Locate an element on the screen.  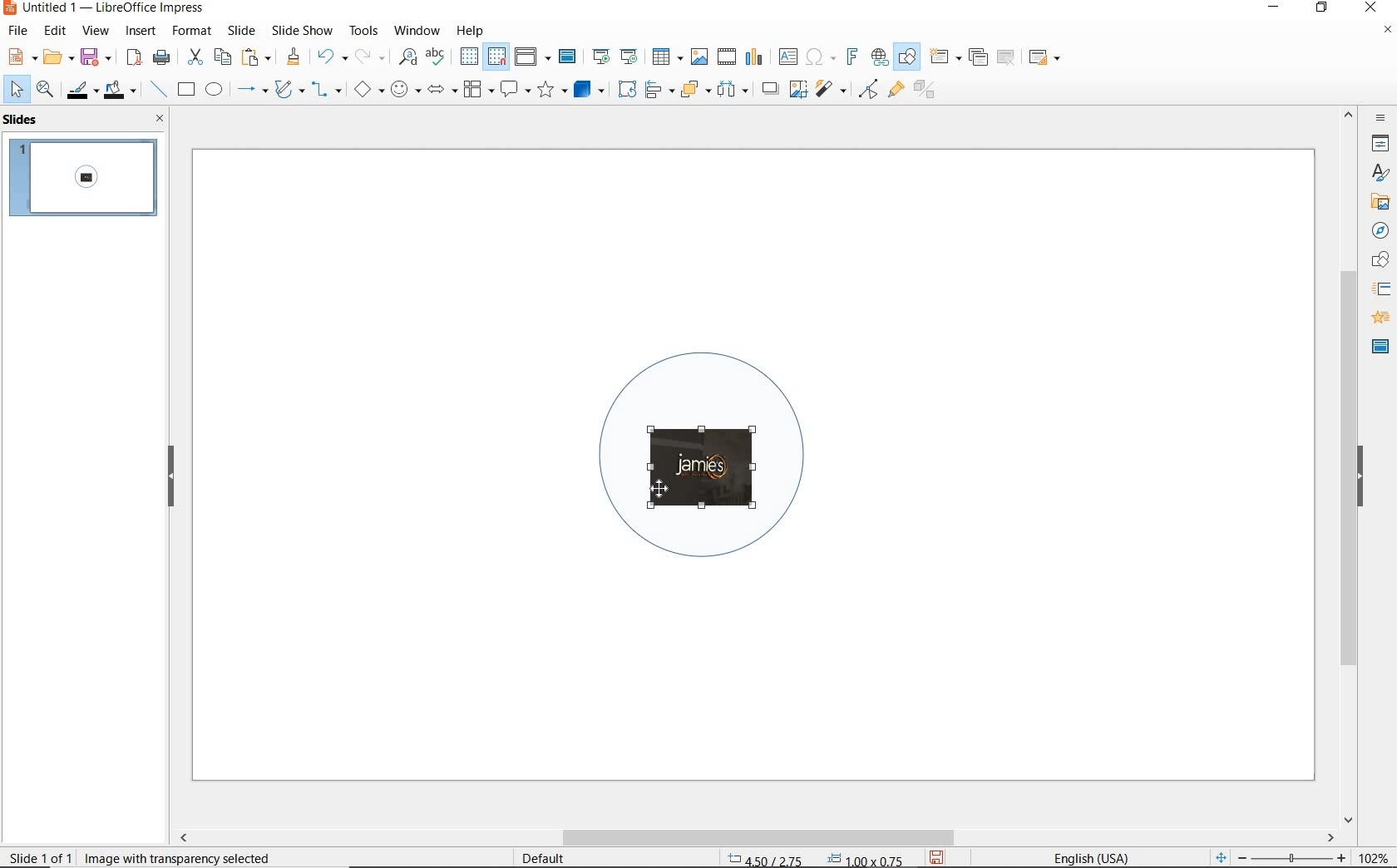
3d objects is located at coordinates (590, 90).